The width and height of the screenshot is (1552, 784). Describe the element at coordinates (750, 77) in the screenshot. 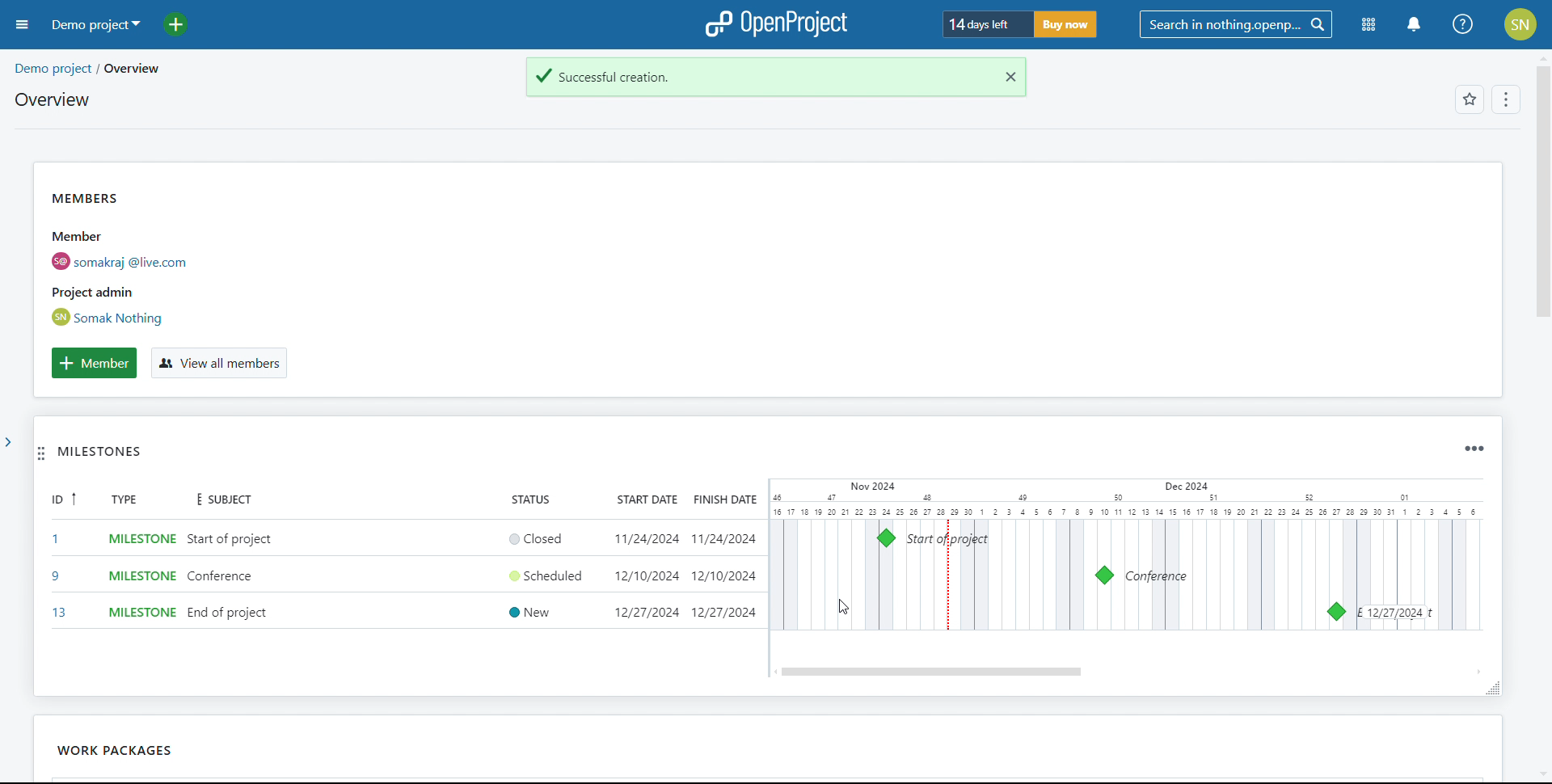

I see `task created successfully` at that location.